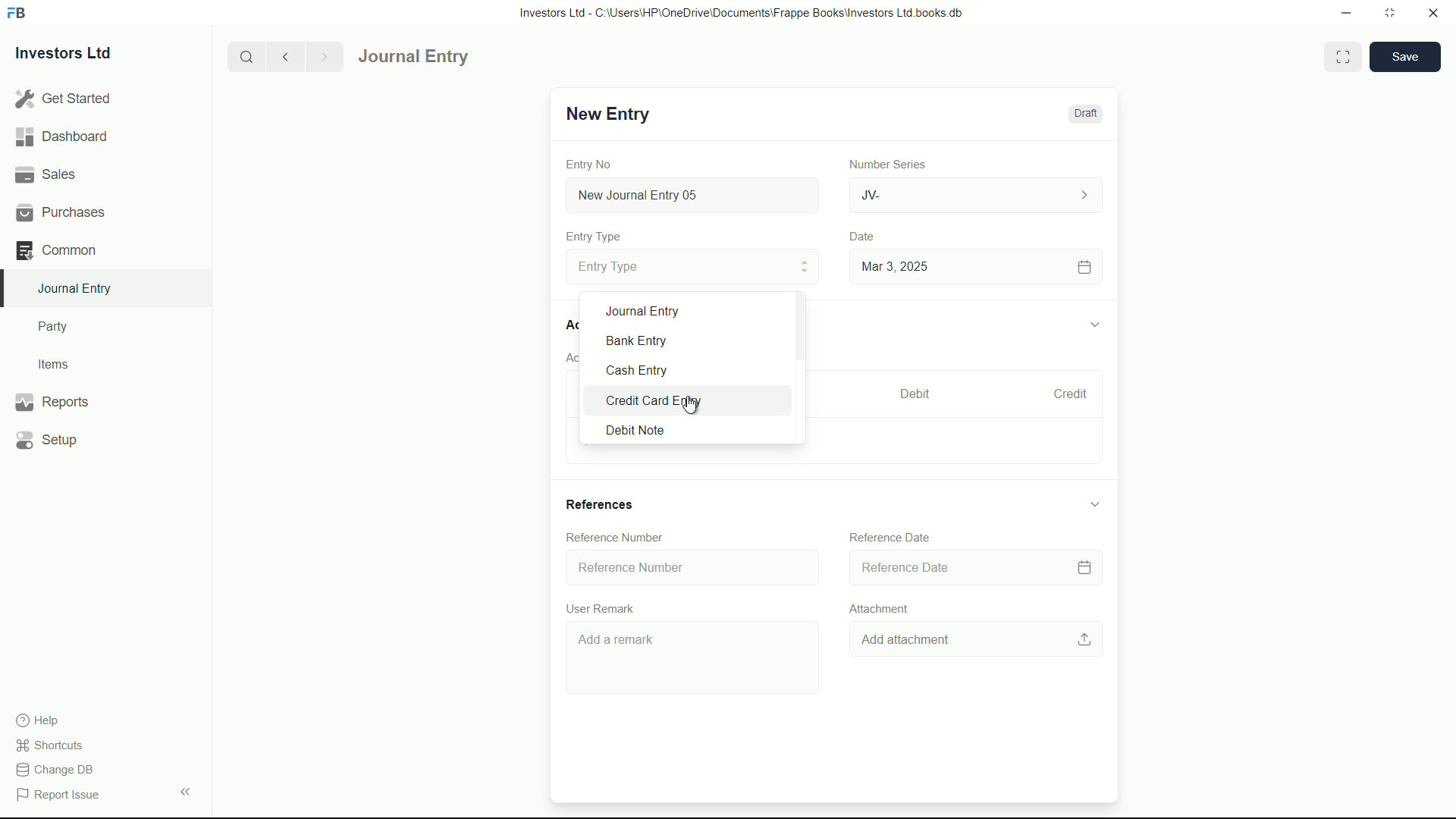 Image resolution: width=1456 pixels, height=819 pixels. Describe the element at coordinates (17, 14) in the screenshot. I see `FrappeBooks logo` at that location.